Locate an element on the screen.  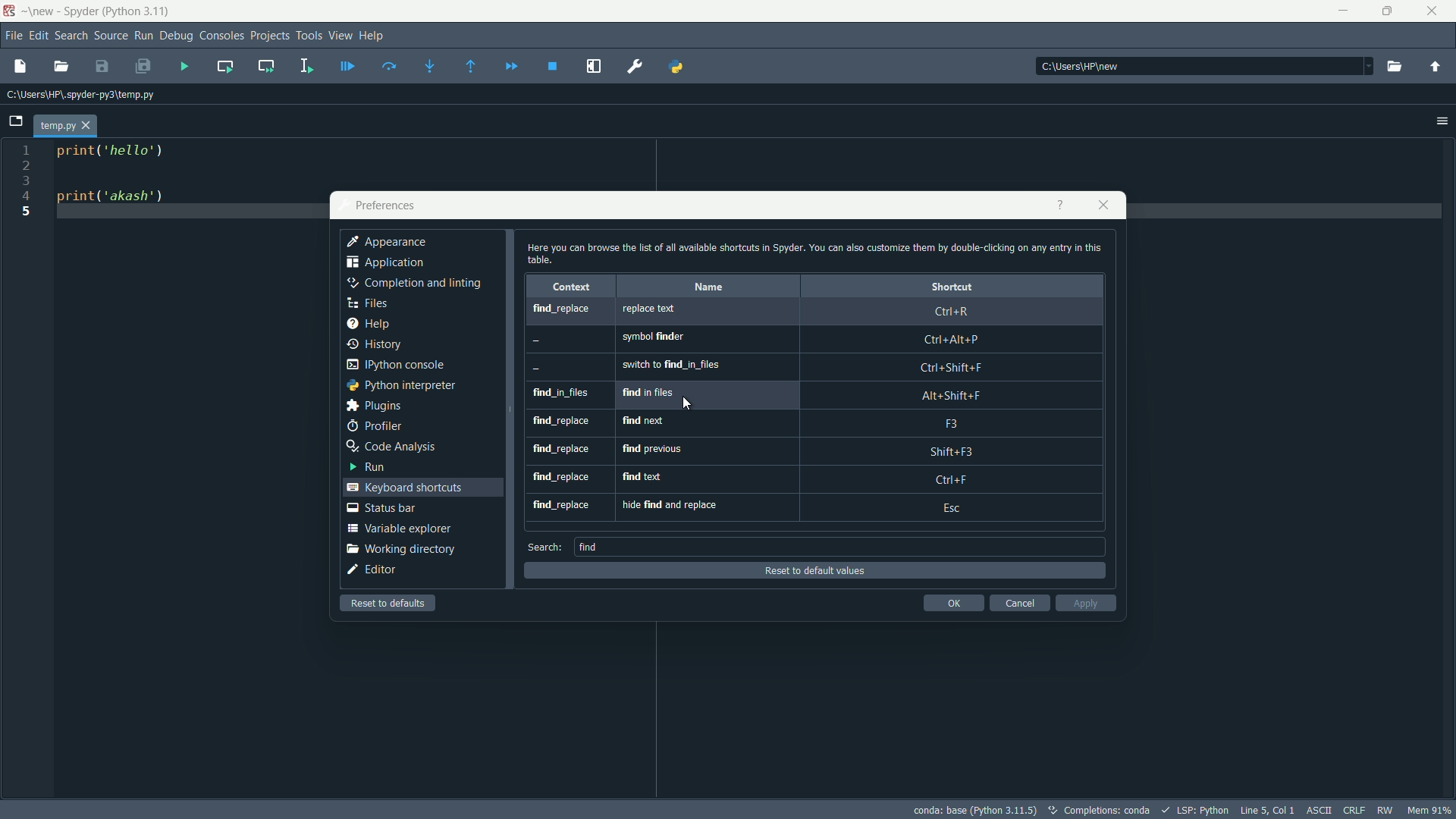
file menu is located at coordinates (13, 33).